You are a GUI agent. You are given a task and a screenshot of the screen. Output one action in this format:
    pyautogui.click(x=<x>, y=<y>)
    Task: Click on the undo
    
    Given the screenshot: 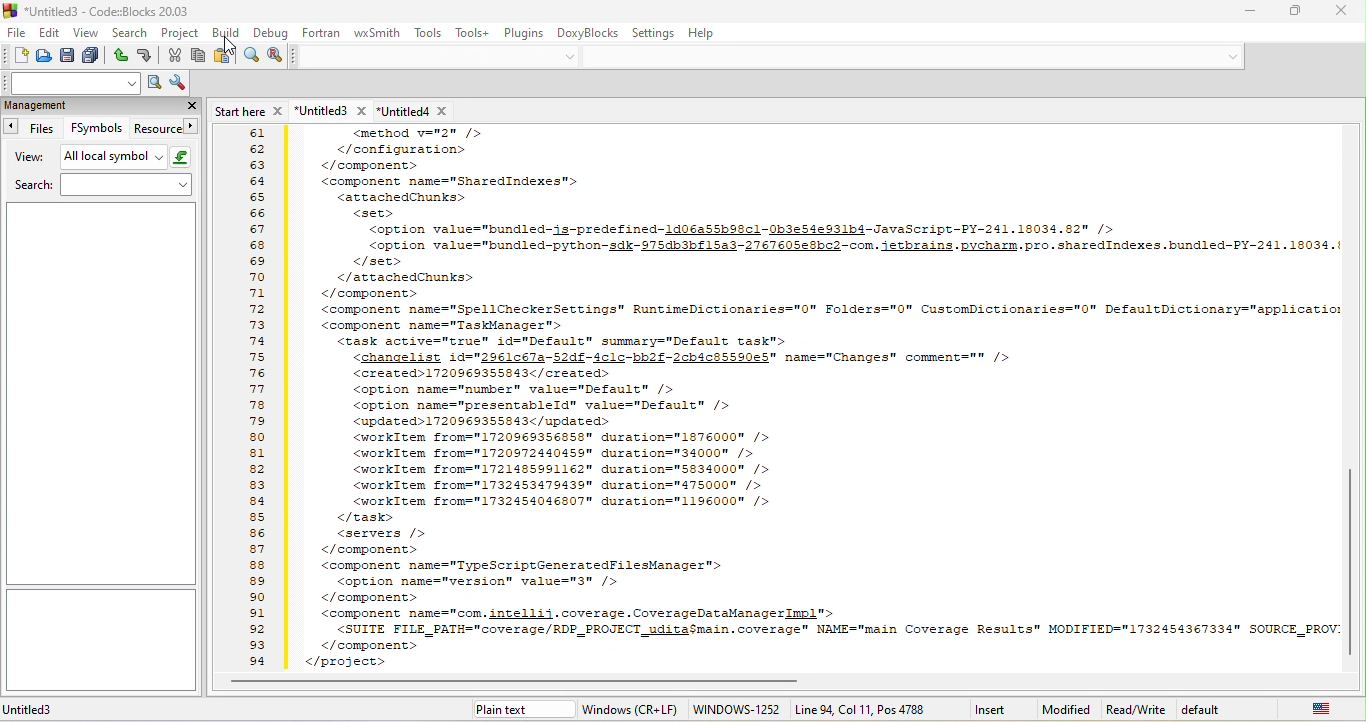 What is the action you would take?
    pyautogui.click(x=122, y=55)
    